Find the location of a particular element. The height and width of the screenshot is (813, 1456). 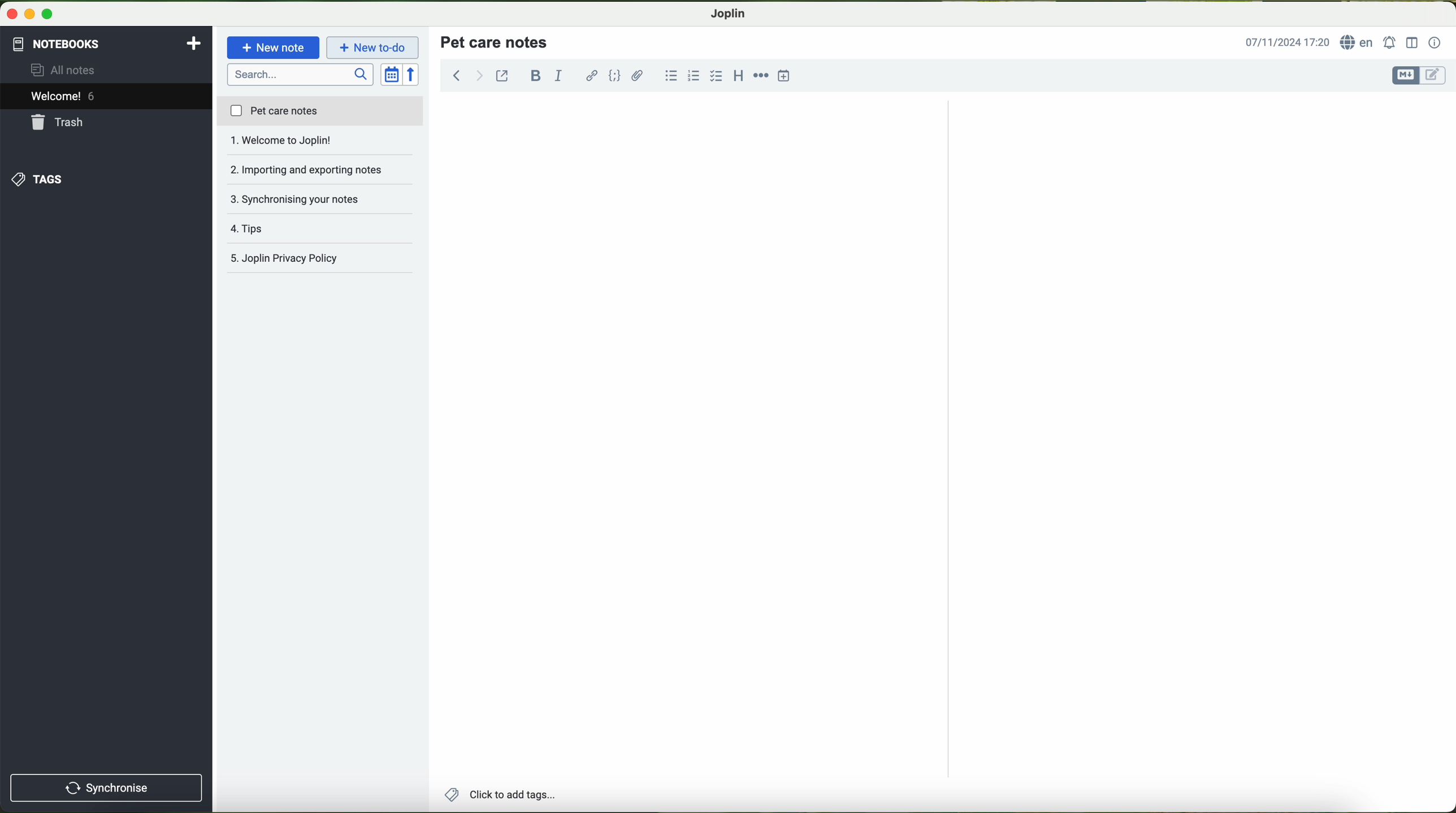

bulleted list is located at coordinates (669, 76).